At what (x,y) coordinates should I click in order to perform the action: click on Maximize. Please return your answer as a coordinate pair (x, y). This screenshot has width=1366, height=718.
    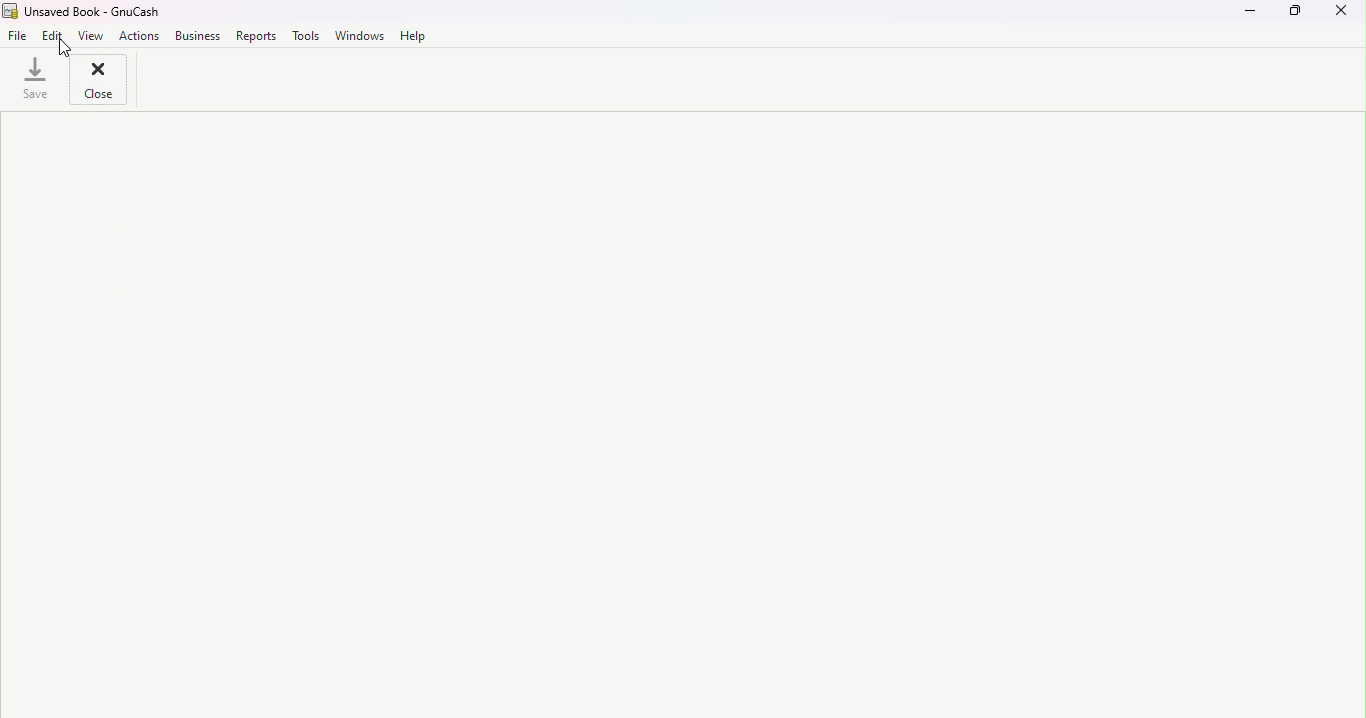
    Looking at the image, I should click on (1295, 17).